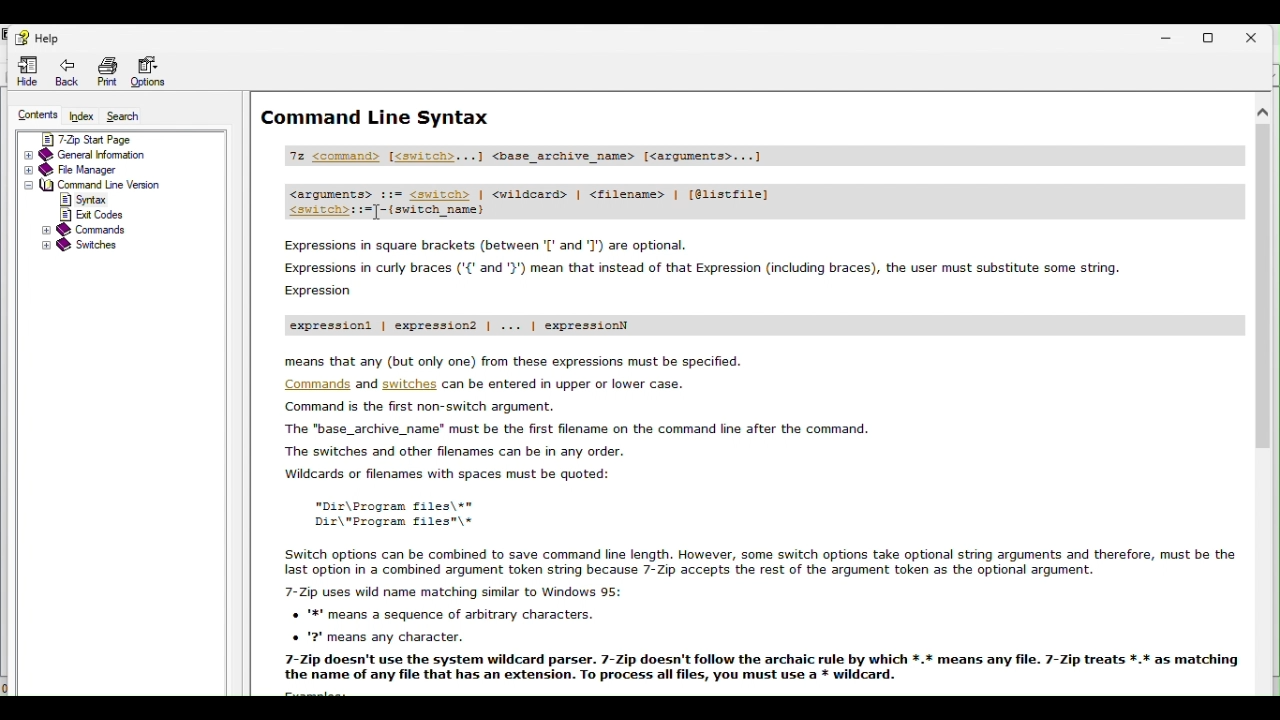  I want to click on switches, so click(412, 385).